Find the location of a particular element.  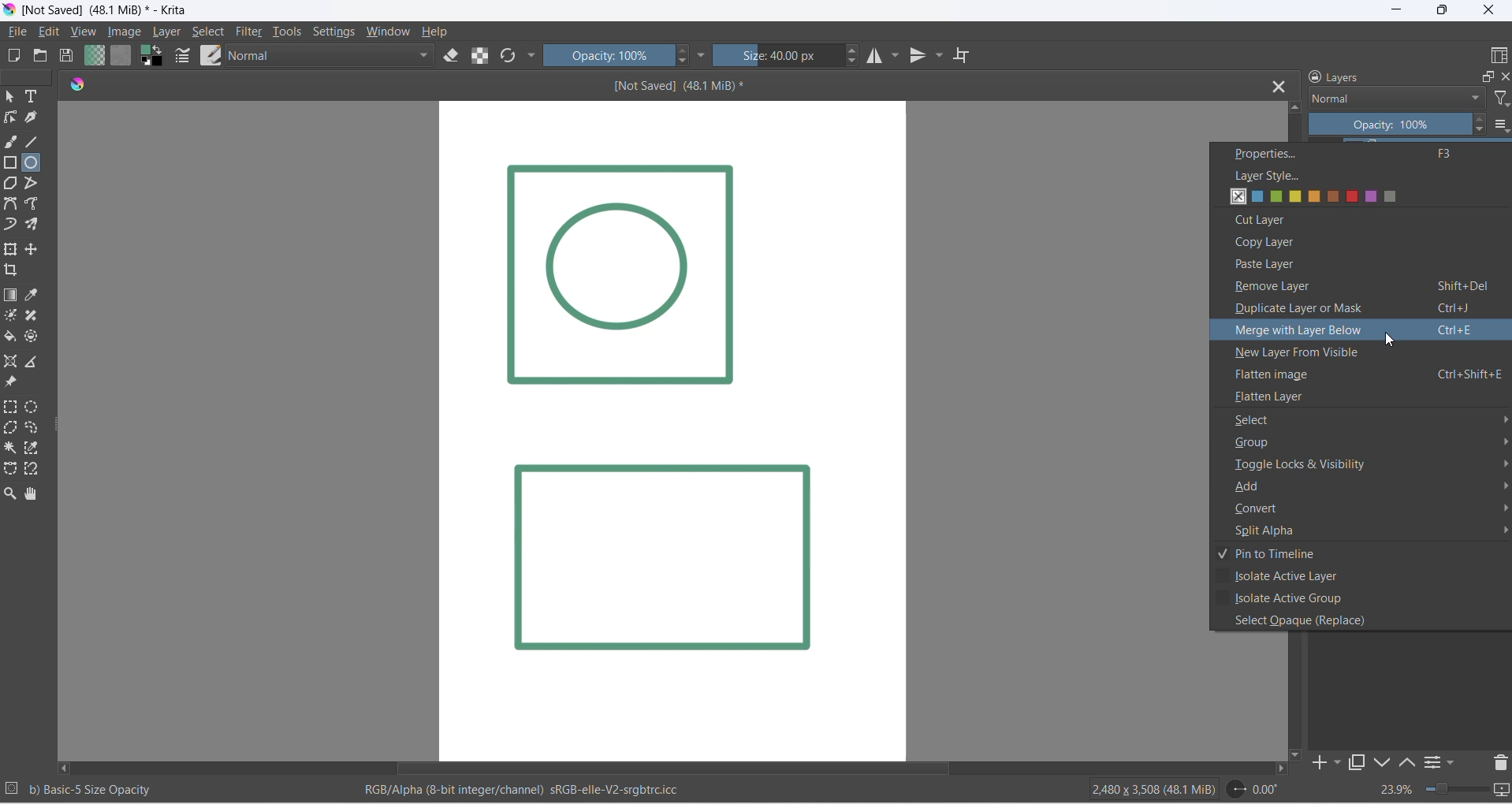

select is located at coordinates (11, 97).